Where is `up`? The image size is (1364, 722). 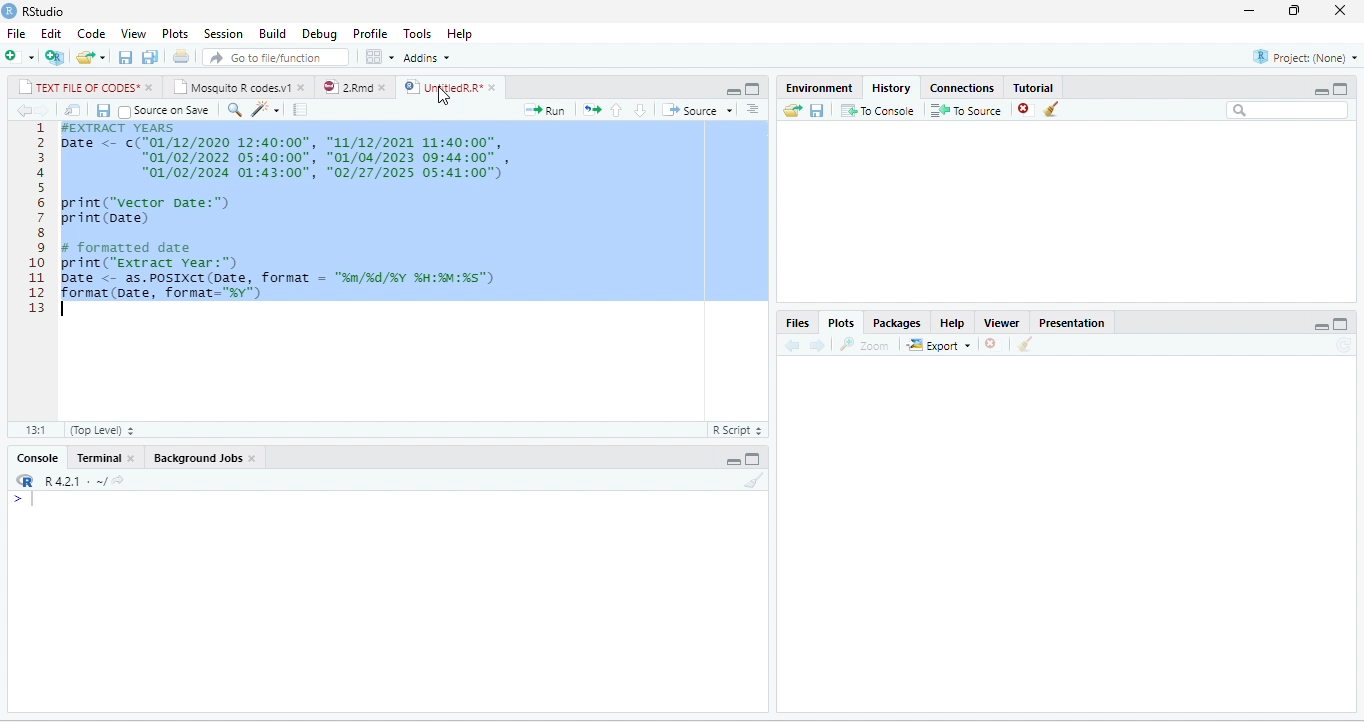 up is located at coordinates (616, 110).